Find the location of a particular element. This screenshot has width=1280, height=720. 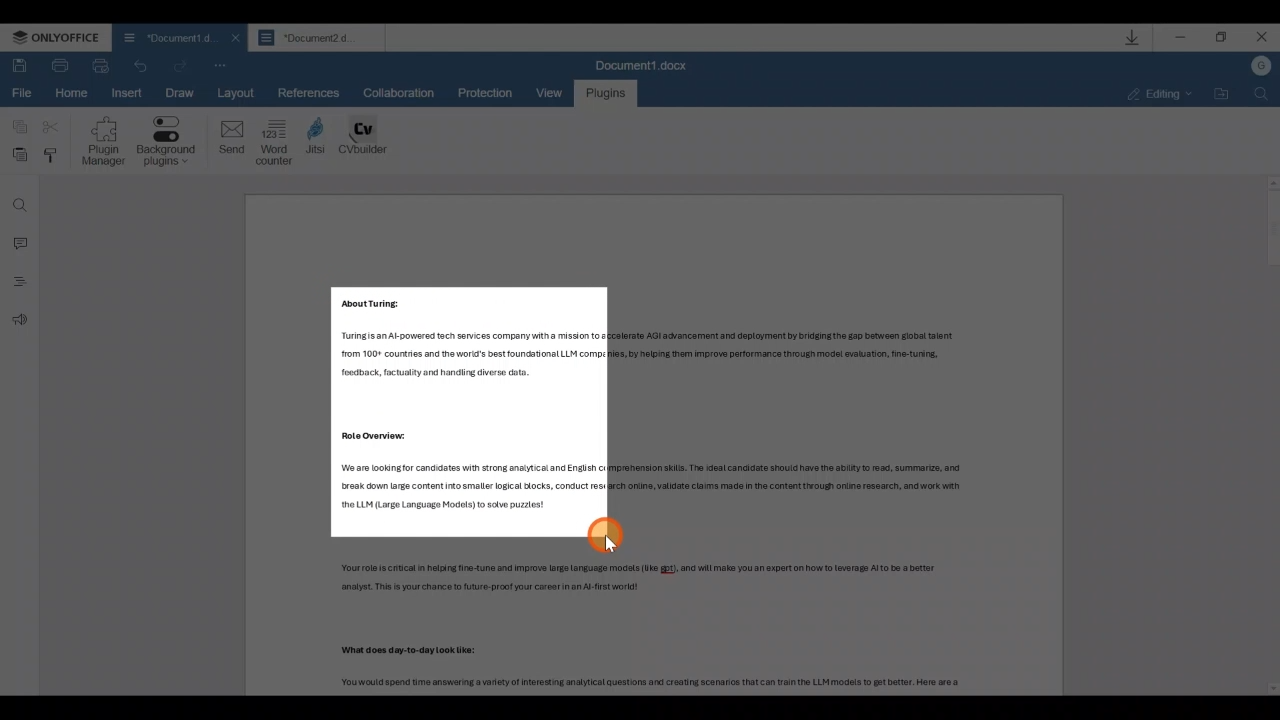

Close is located at coordinates (232, 38).